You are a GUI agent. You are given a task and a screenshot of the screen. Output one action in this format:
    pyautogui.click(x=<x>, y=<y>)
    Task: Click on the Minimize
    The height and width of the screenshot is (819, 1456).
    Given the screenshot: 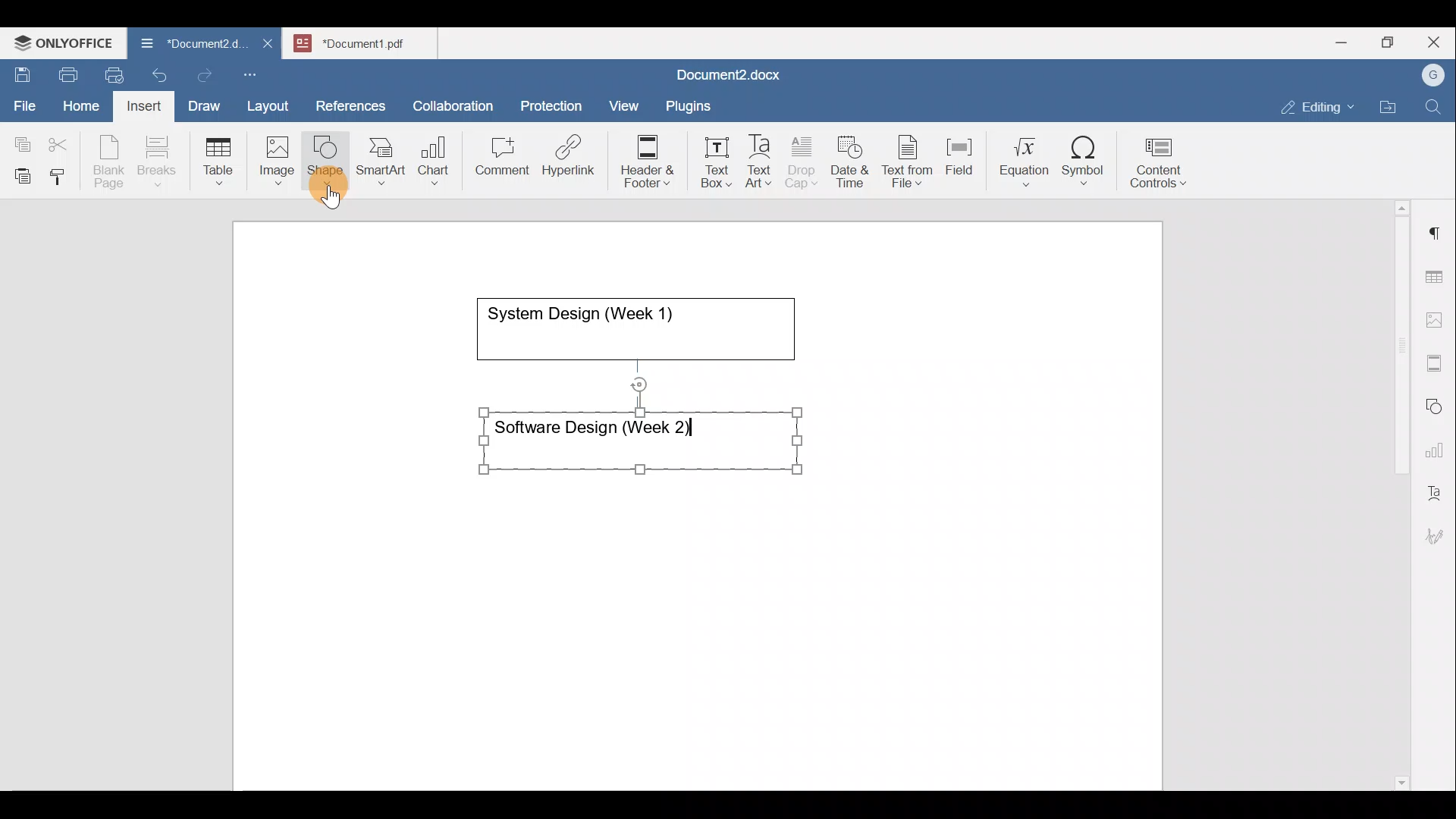 What is the action you would take?
    pyautogui.click(x=1341, y=41)
    